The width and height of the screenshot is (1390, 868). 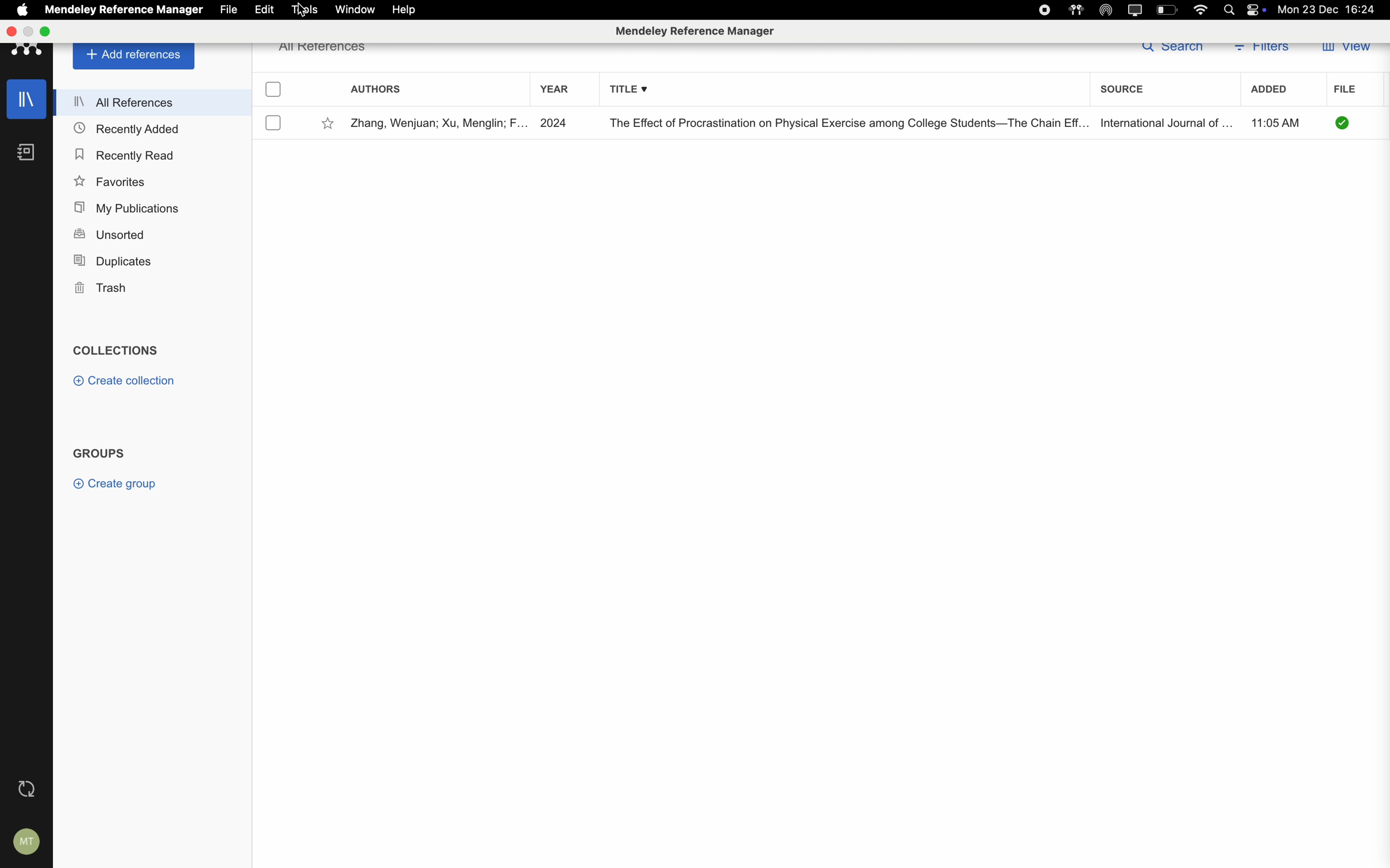 What do you see at coordinates (232, 9) in the screenshot?
I see `file` at bounding box center [232, 9].